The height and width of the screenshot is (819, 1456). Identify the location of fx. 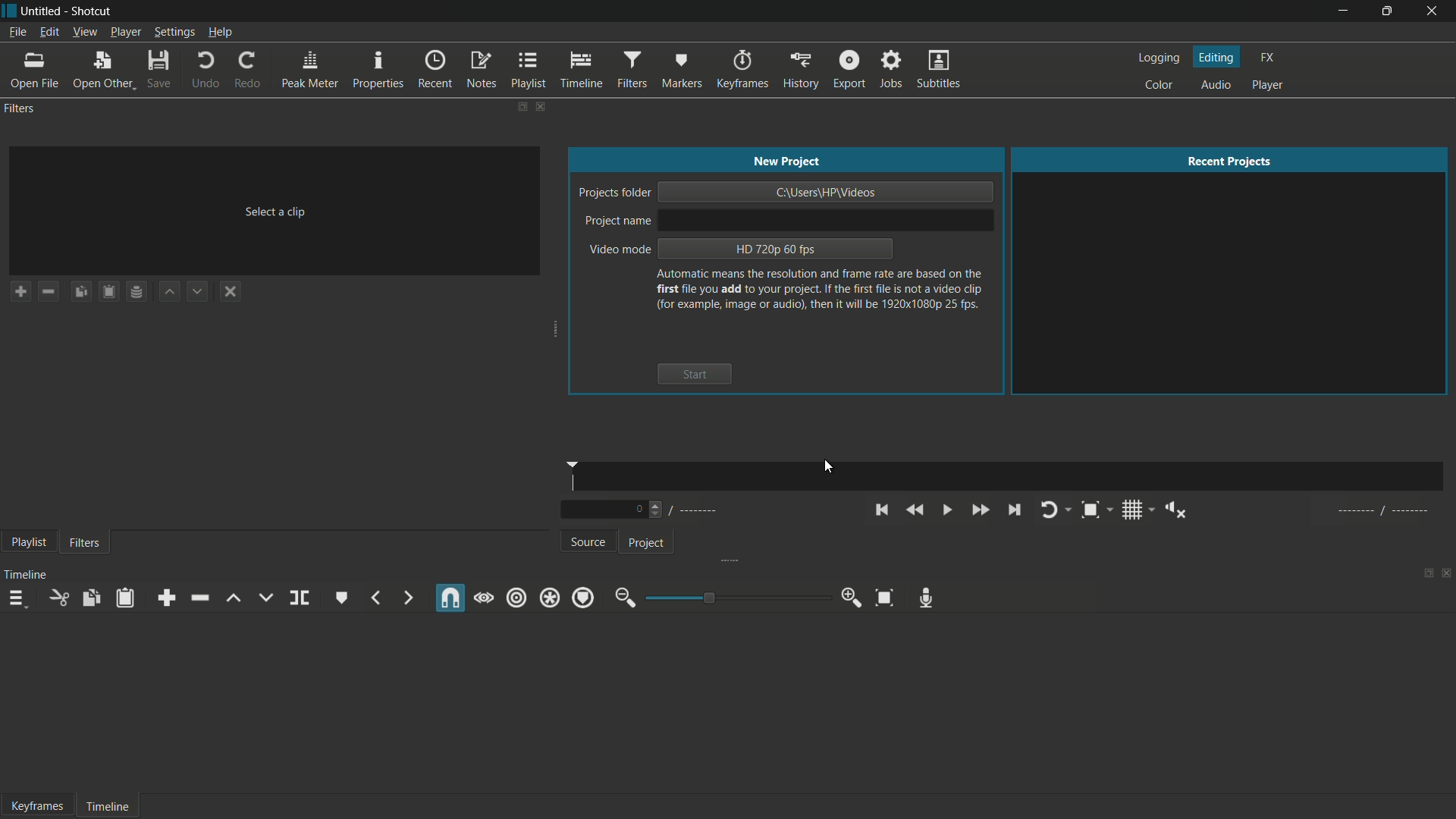
(1267, 58).